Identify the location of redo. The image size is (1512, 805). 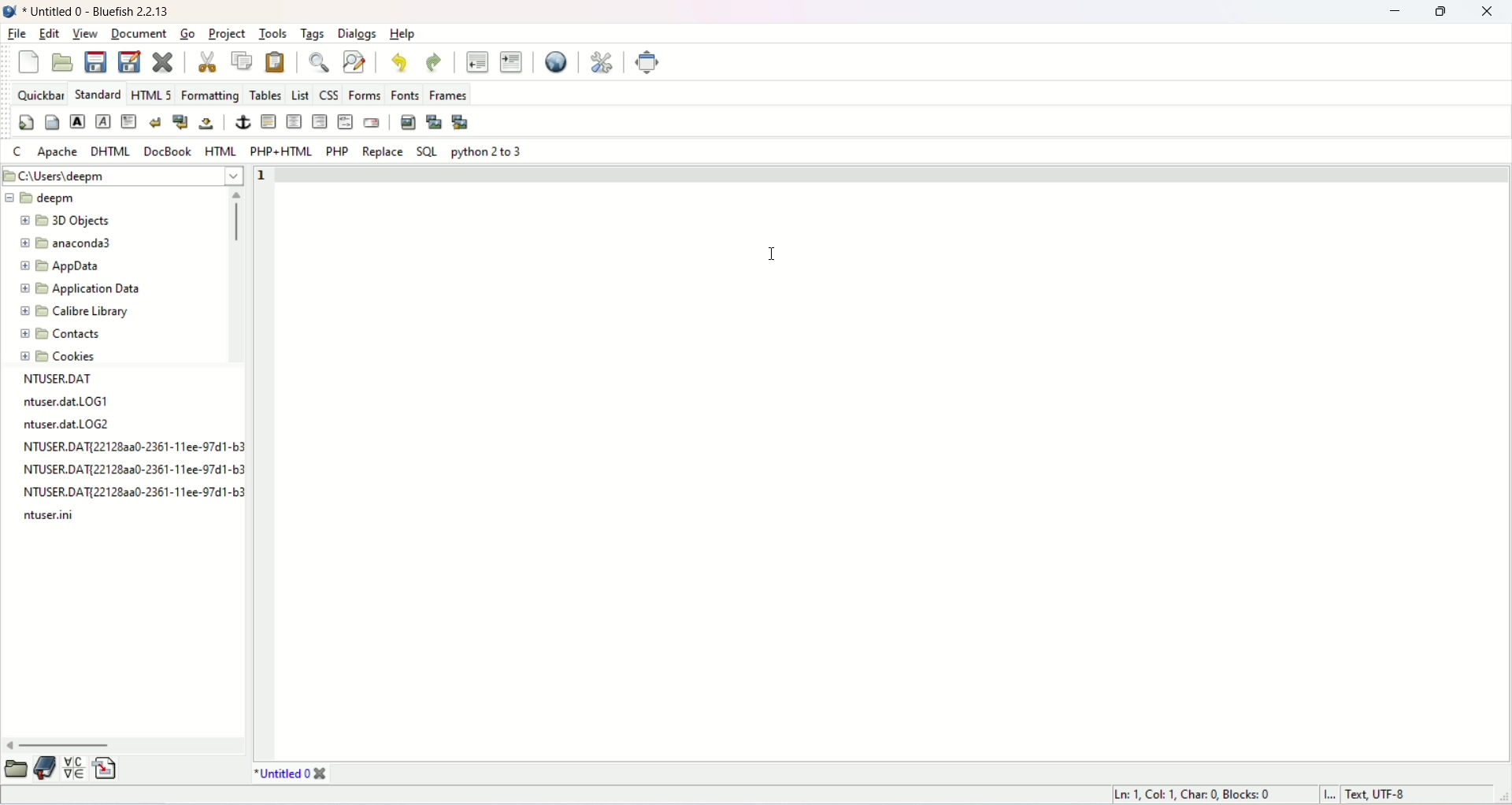
(434, 62).